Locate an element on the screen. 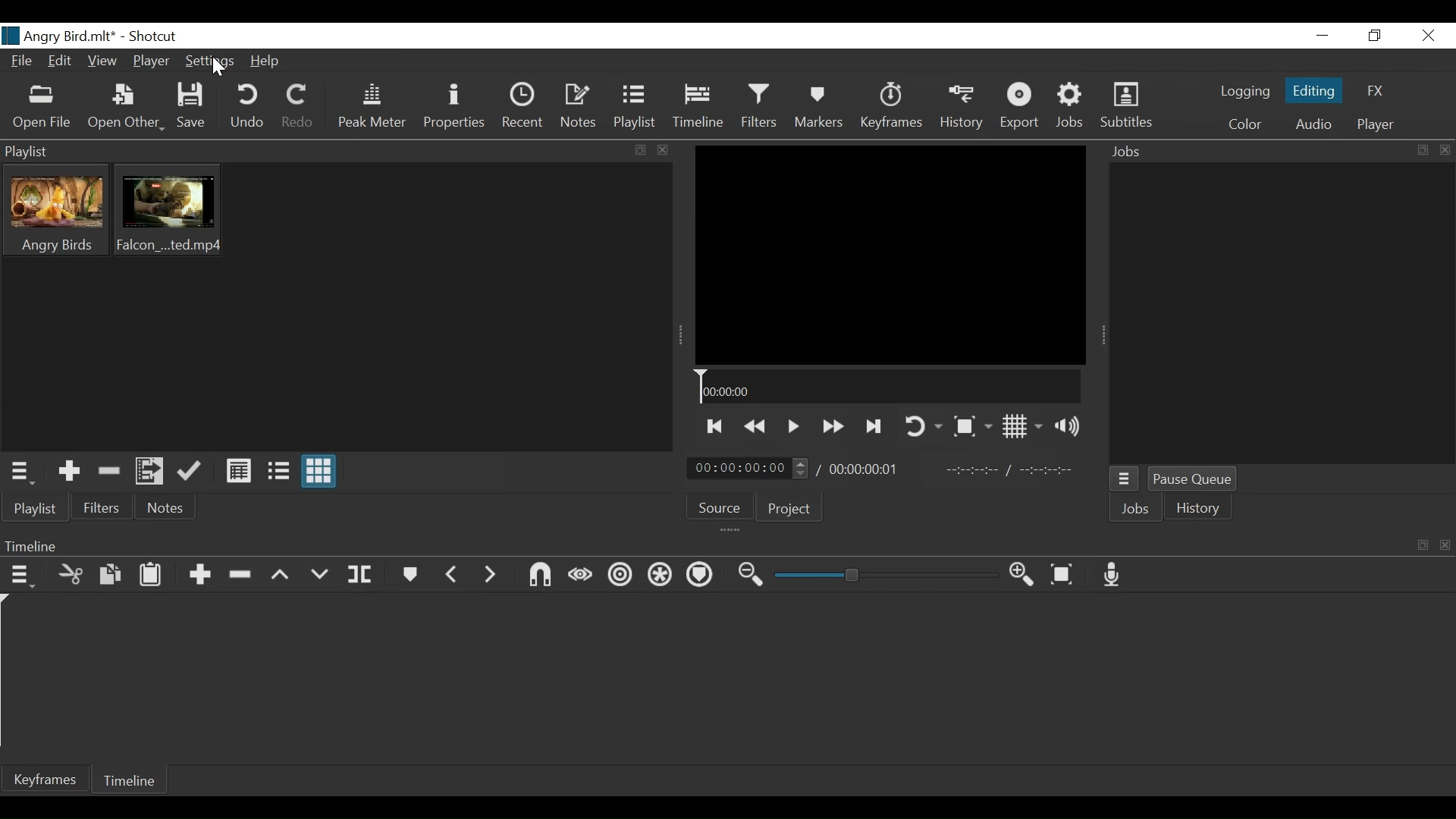 This screenshot has height=819, width=1456. In point is located at coordinates (1013, 471).